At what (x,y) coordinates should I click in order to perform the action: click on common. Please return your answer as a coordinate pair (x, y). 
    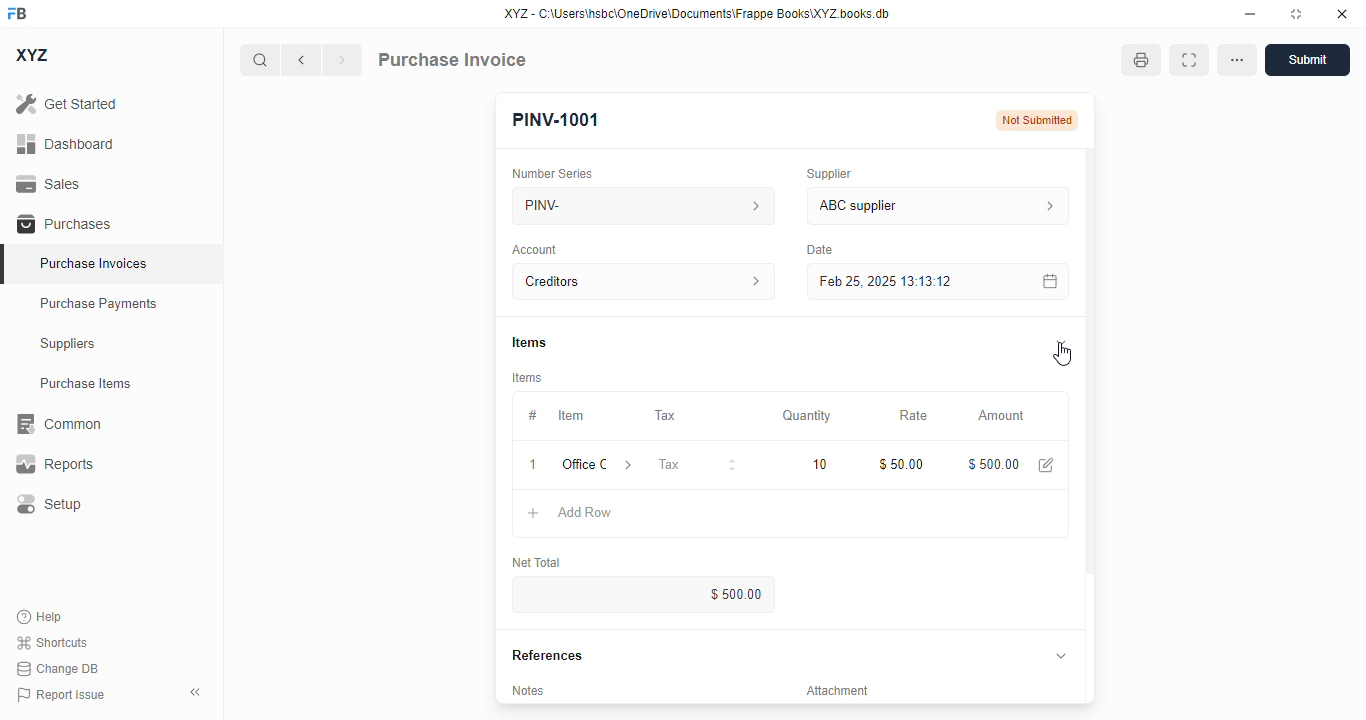
    Looking at the image, I should click on (57, 424).